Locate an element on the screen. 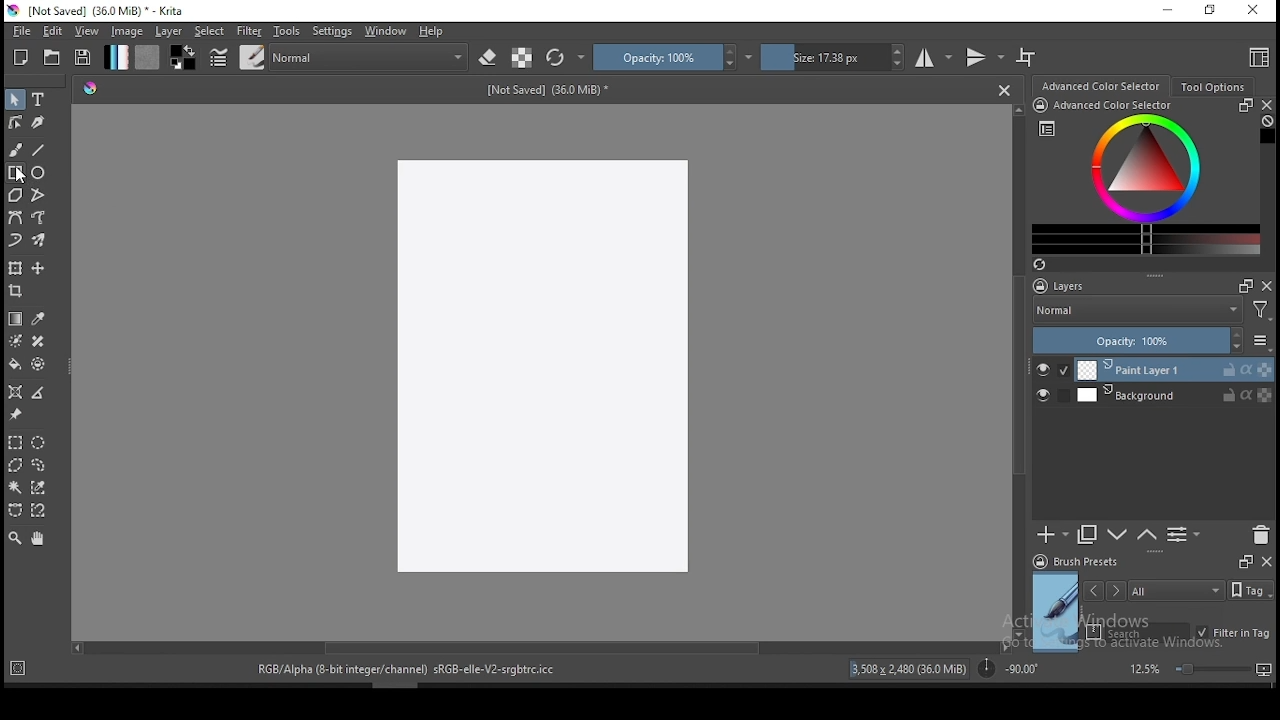 This screenshot has width=1280, height=720. rectangular selection tool is located at coordinates (14, 442).